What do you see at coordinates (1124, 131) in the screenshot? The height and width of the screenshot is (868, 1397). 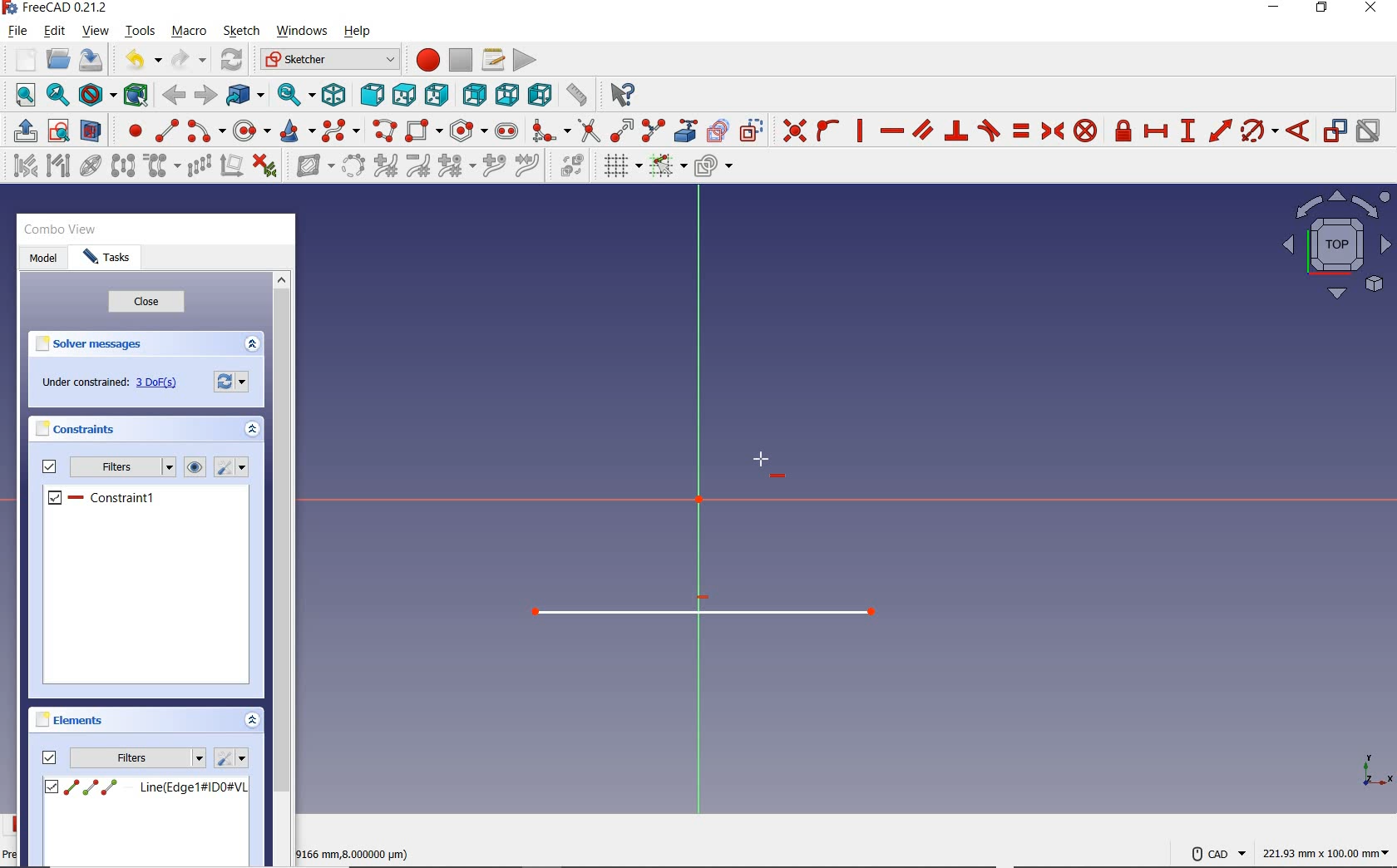 I see `CONSTRAIN LOCK` at bounding box center [1124, 131].